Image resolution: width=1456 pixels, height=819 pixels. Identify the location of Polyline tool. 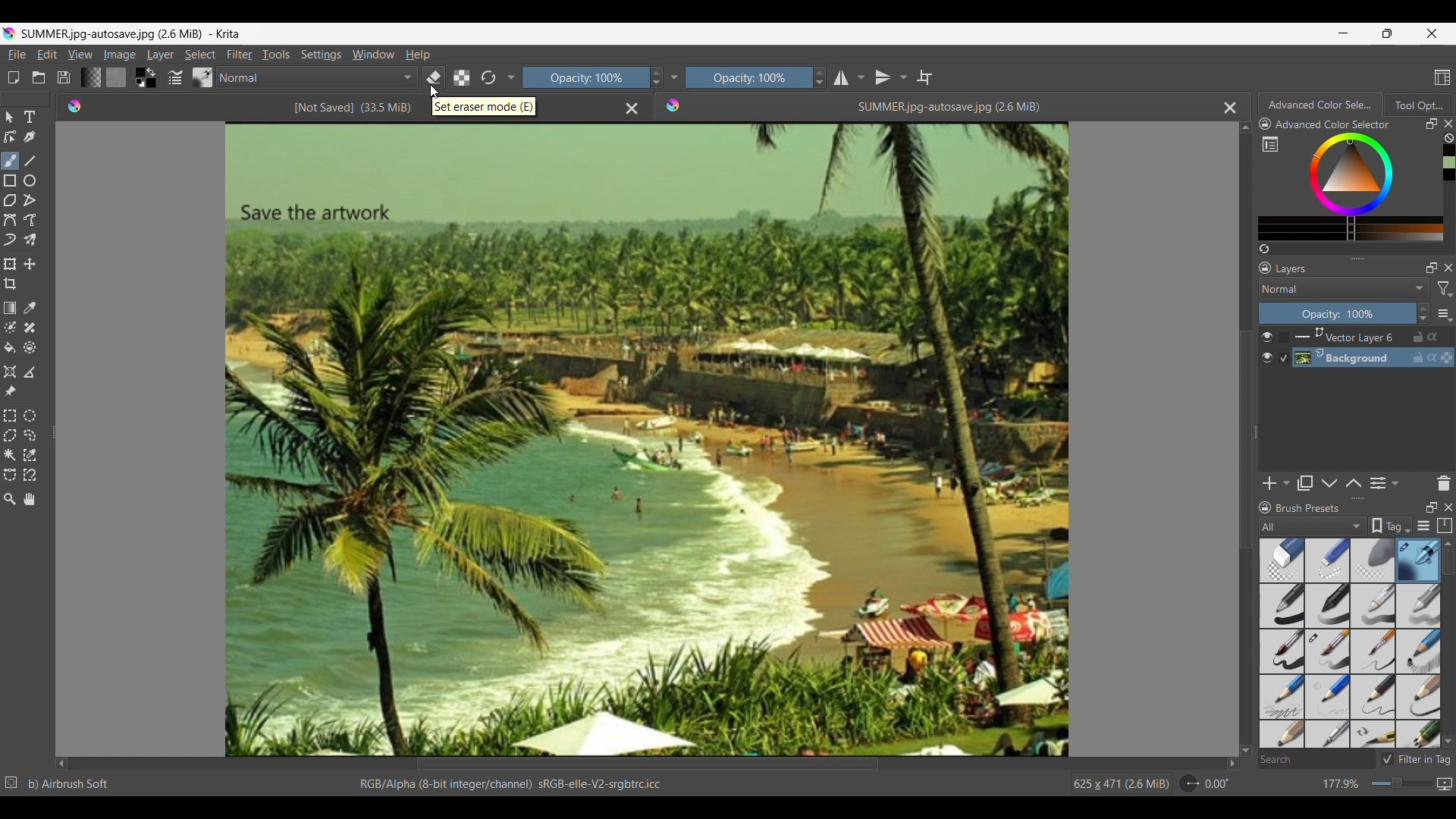
(30, 200).